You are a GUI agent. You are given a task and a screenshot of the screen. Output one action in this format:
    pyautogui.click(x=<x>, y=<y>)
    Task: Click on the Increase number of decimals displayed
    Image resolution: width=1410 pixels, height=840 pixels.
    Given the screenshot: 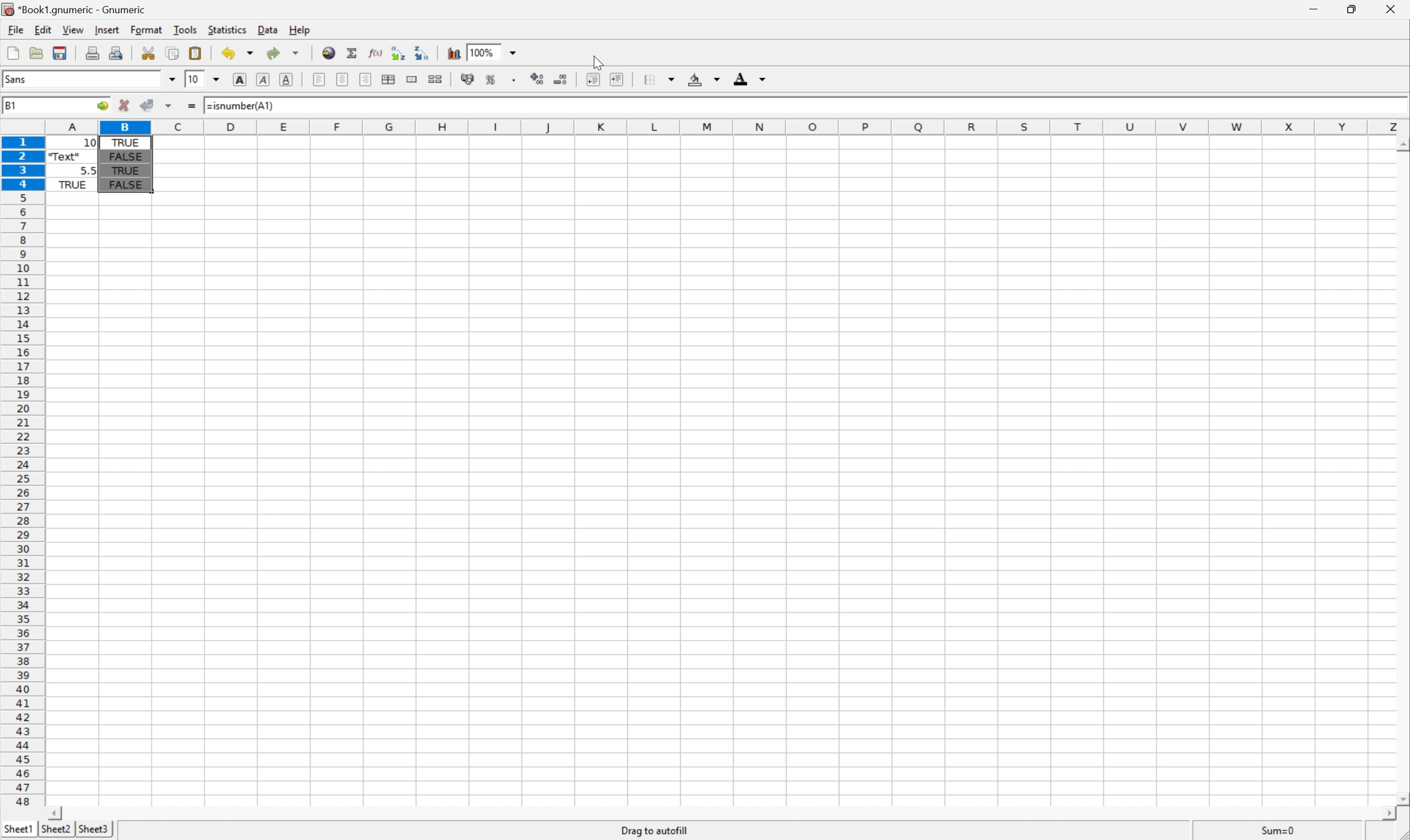 What is the action you would take?
    pyautogui.click(x=538, y=79)
    